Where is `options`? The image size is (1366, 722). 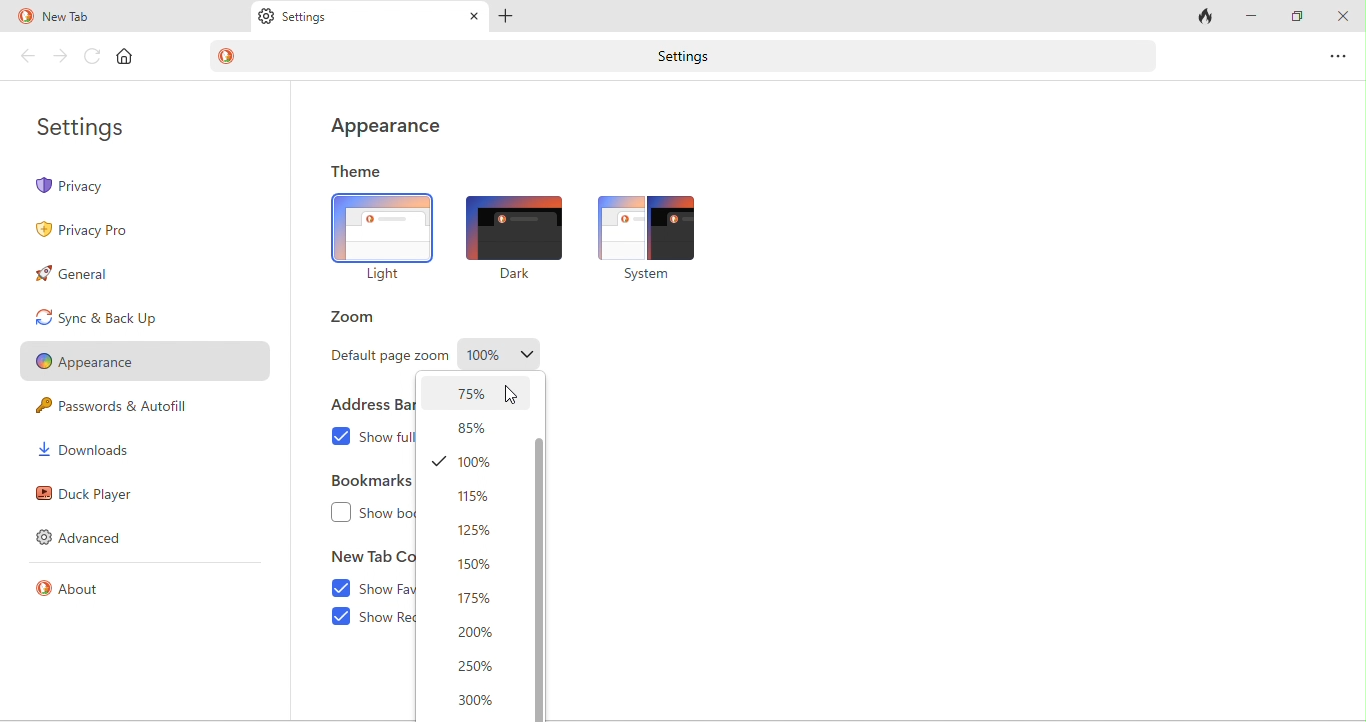 options is located at coordinates (1339, 55).